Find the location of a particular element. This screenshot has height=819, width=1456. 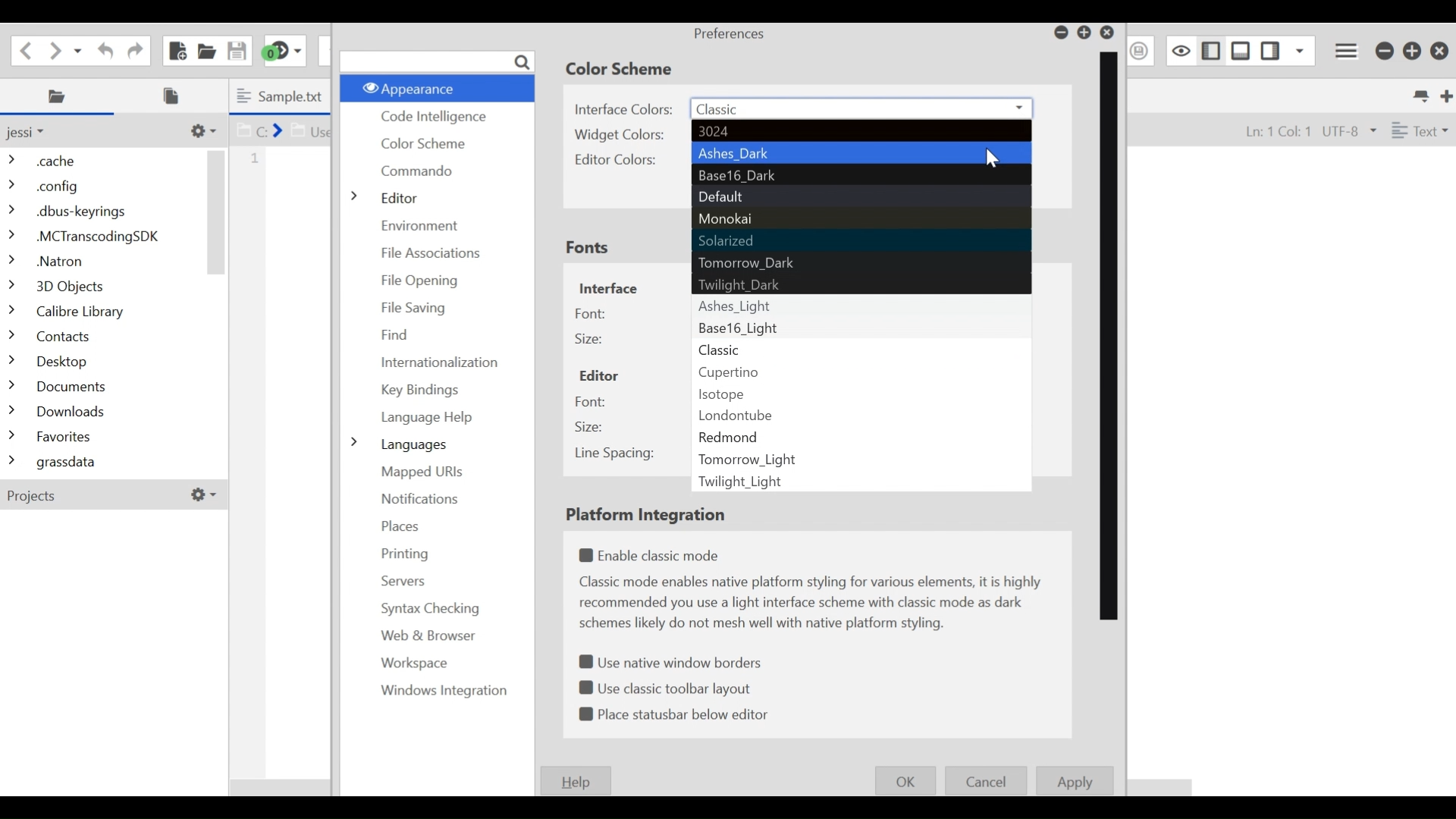

base 16 light is located at coordinates (859, 328).